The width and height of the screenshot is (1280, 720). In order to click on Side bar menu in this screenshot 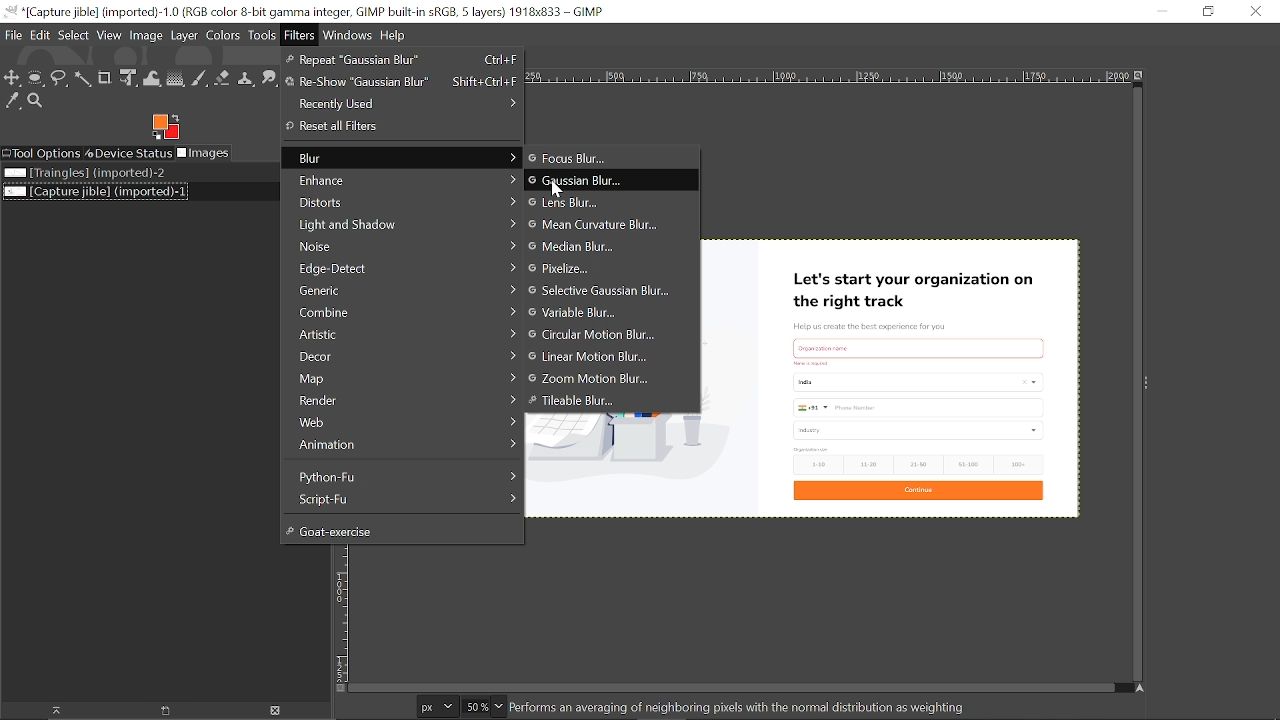, I will do `click(1149, 382)`.